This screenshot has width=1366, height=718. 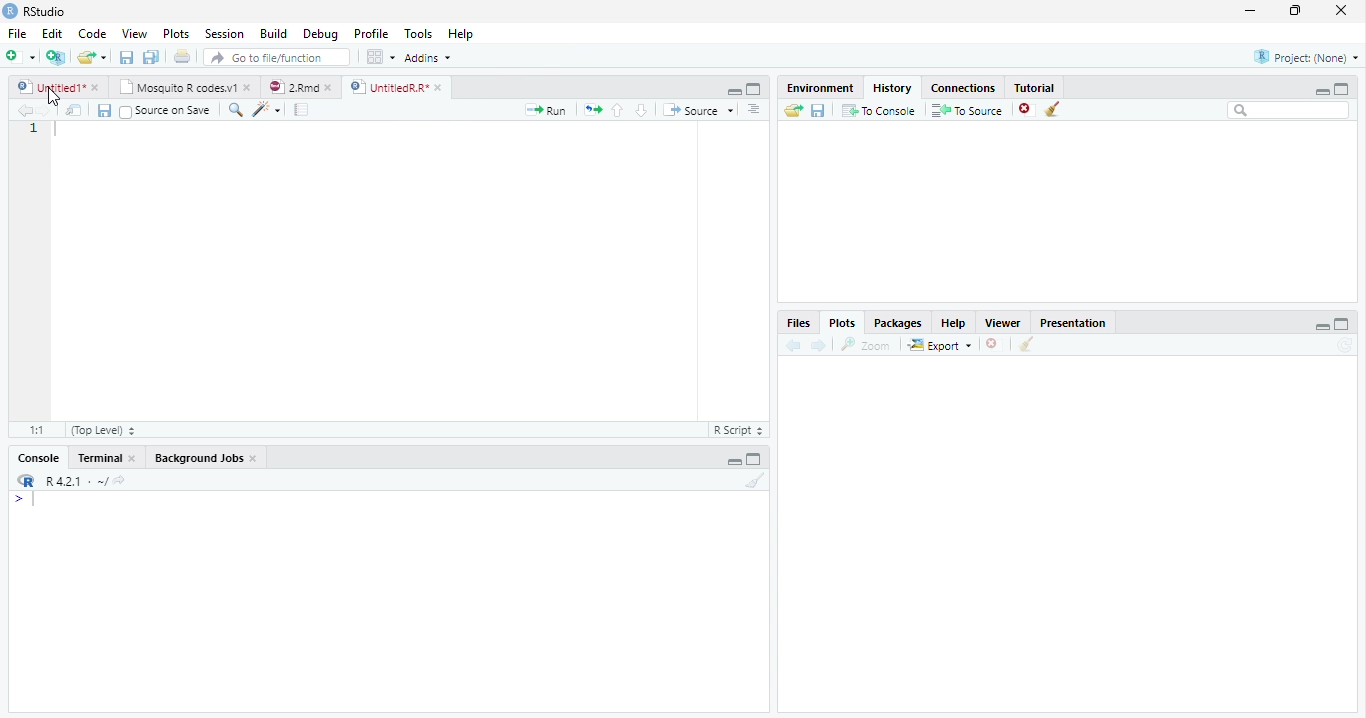 What do you see at coordinates (34, 130) in the screenshot?
I see `Row number` at bounding box center [34, 130].